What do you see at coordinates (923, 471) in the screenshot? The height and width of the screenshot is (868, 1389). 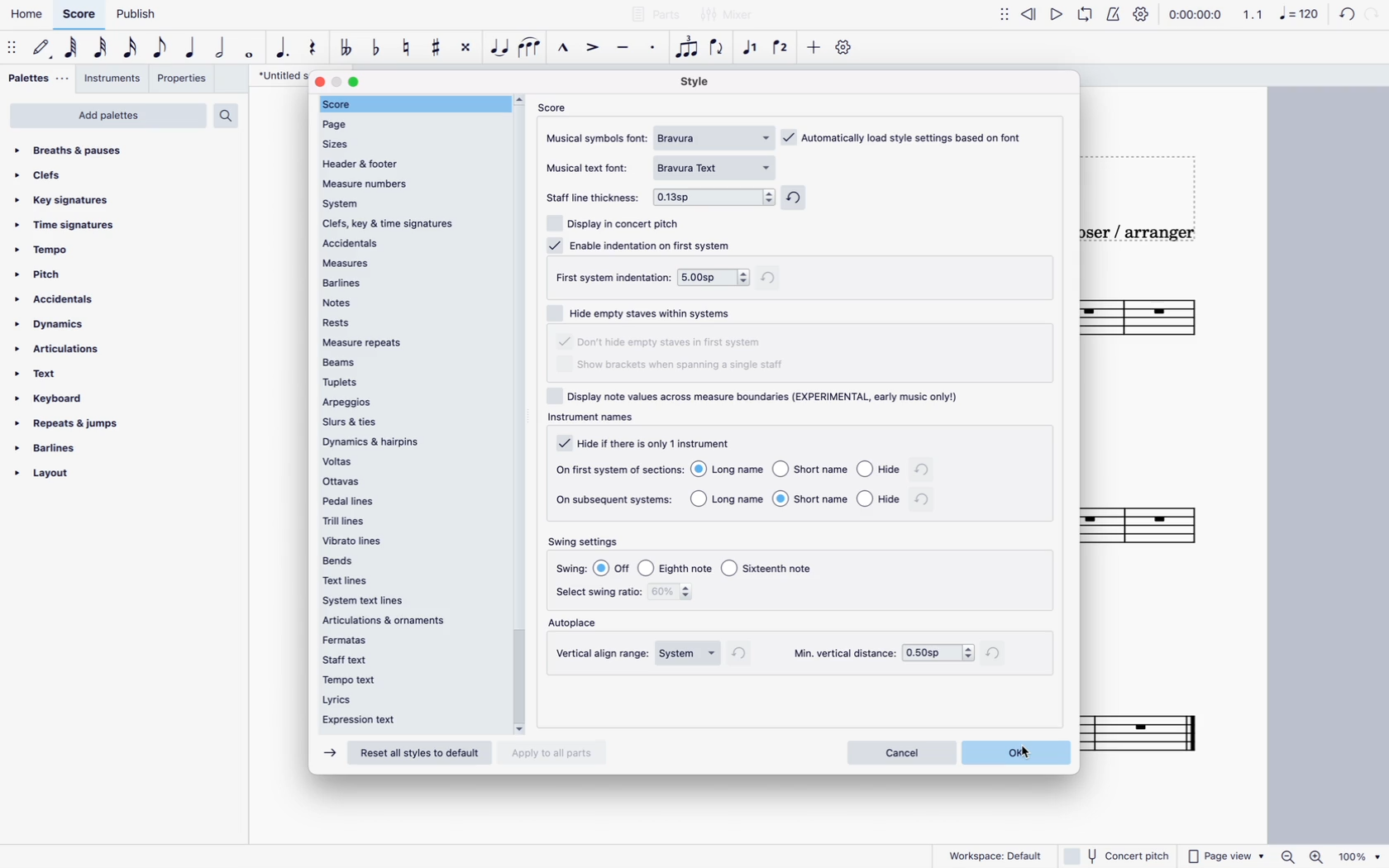 I see `refresh` at bounding box center [923, 471].